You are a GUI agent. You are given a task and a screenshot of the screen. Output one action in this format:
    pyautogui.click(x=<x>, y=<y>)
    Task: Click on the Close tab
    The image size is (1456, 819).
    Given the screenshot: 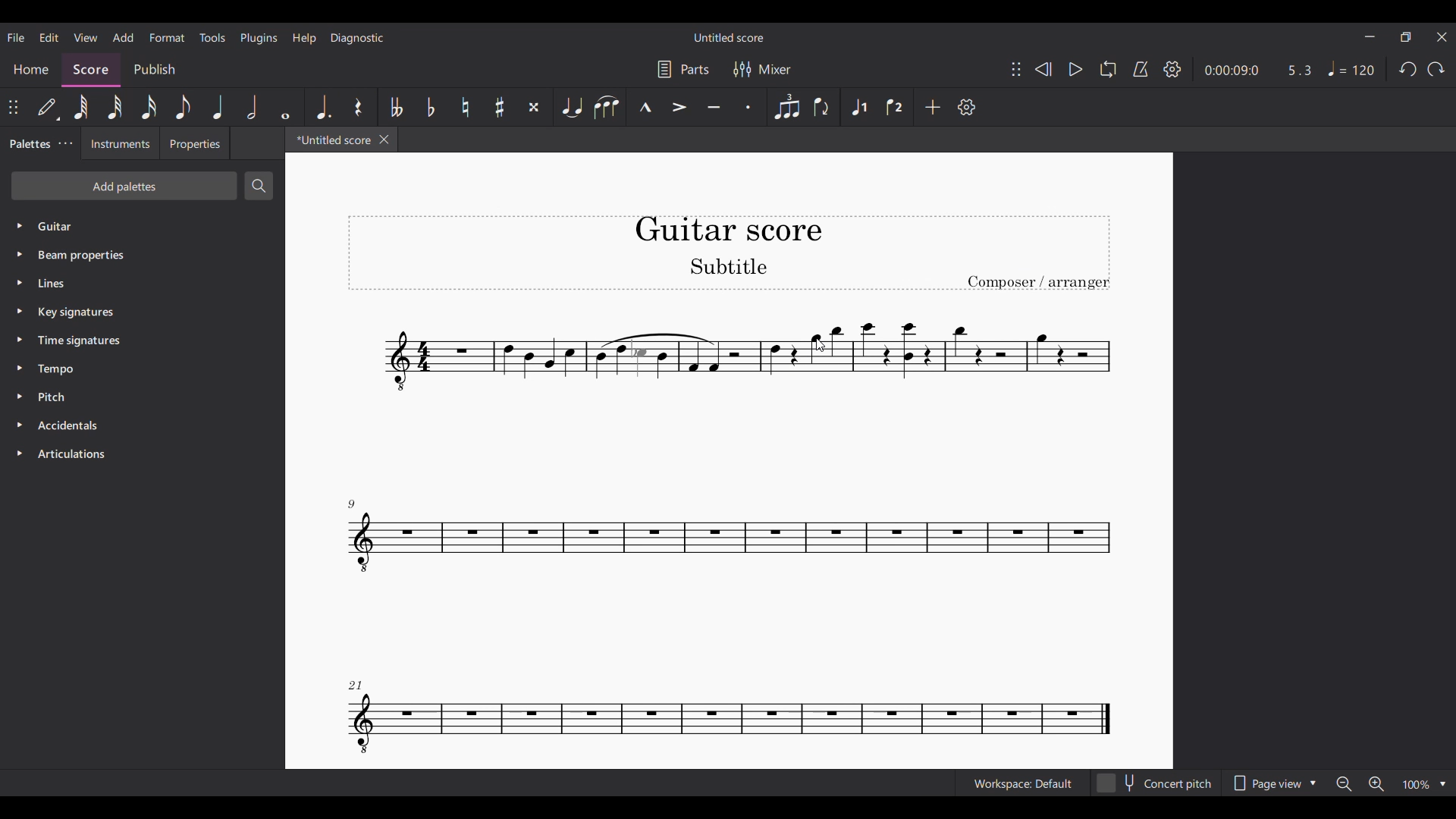 What is the action you would take?
    pyautogui.click(x=384, y=140)
    